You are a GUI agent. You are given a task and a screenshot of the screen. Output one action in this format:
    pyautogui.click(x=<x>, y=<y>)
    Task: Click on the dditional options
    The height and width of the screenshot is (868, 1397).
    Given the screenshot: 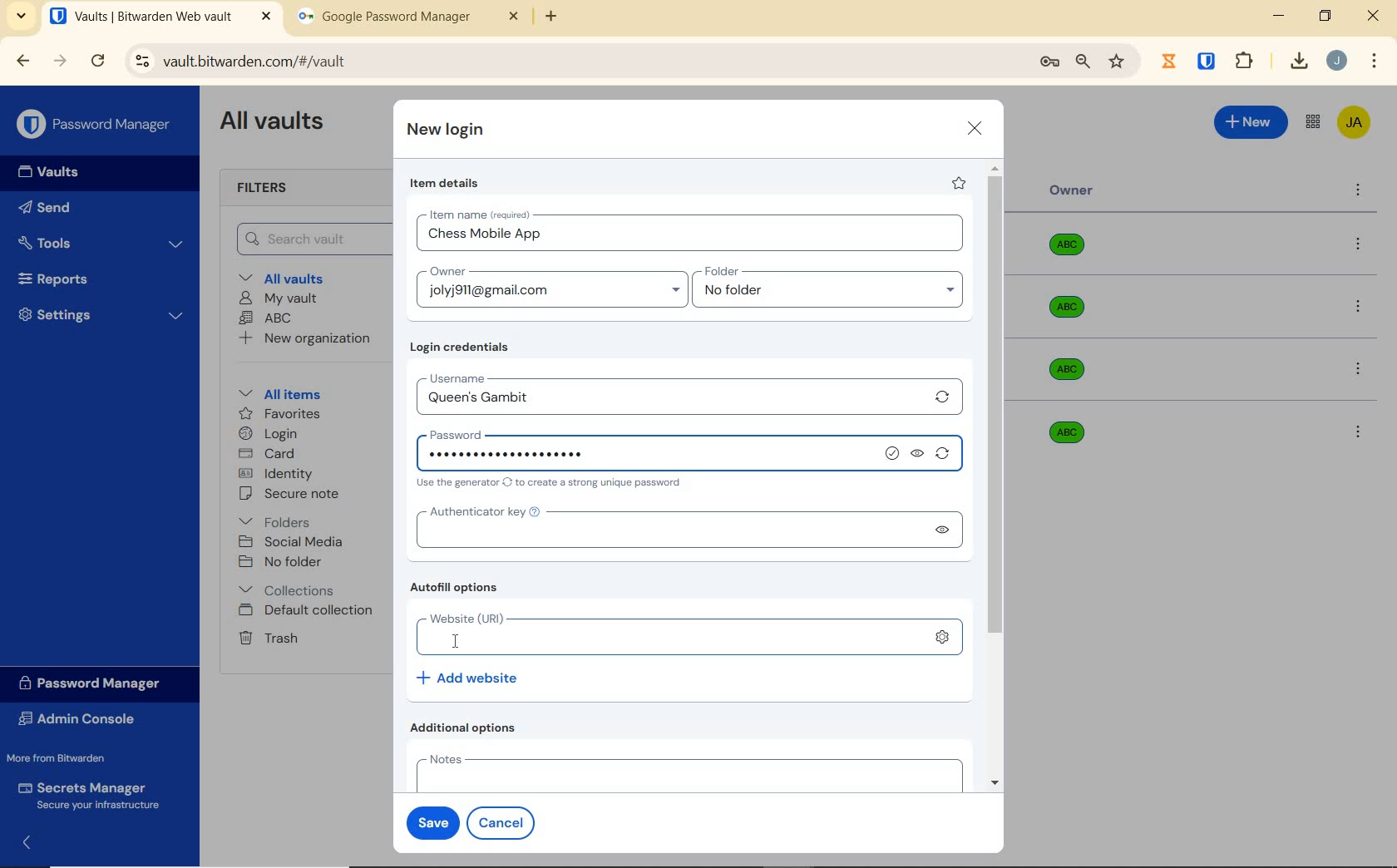 What is the action you would take?
    pyautogui.click(x=467, y=727)
    